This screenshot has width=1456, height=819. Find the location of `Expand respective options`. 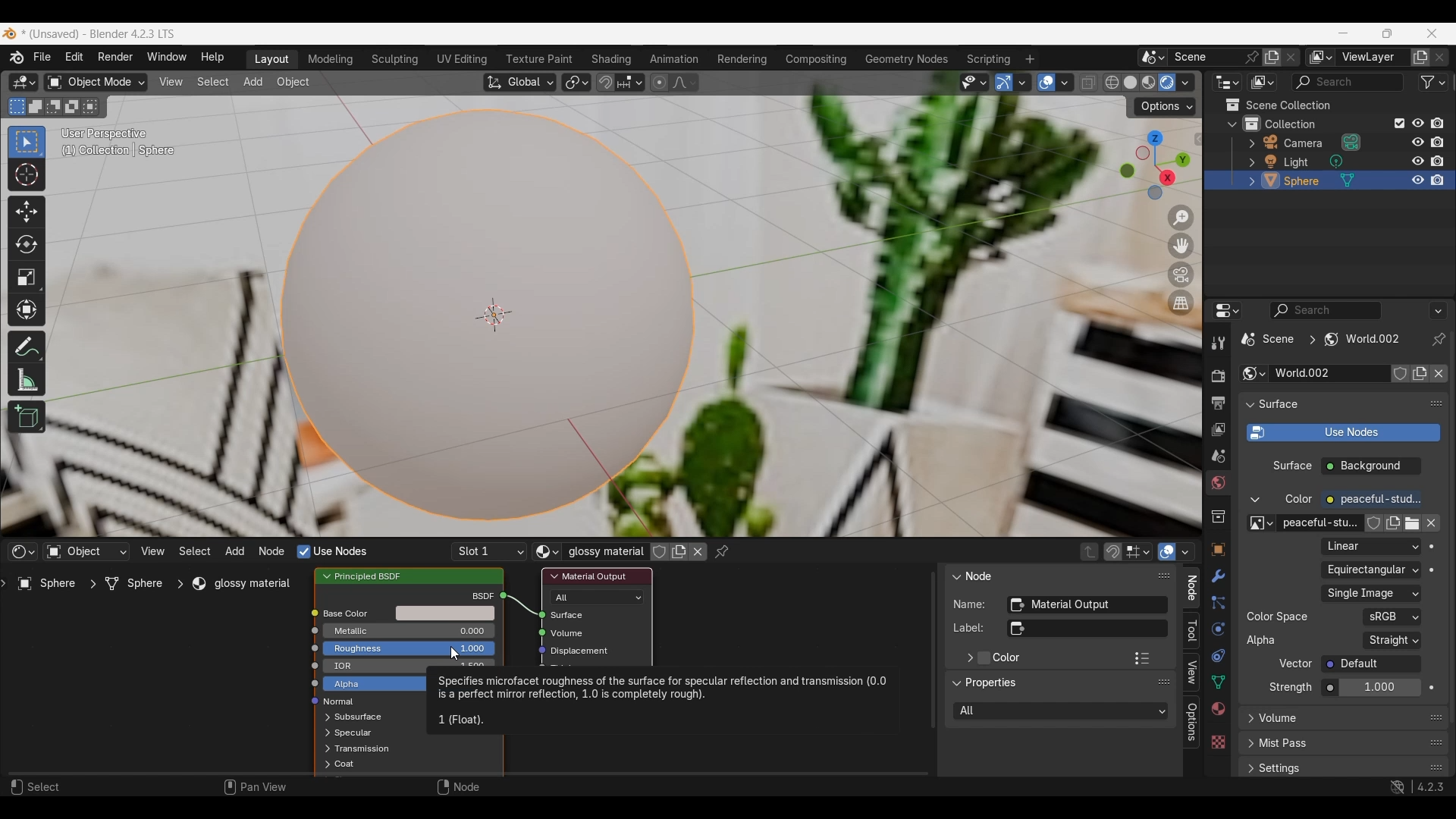

Expand respective options is located at coordinates (1247, 723).